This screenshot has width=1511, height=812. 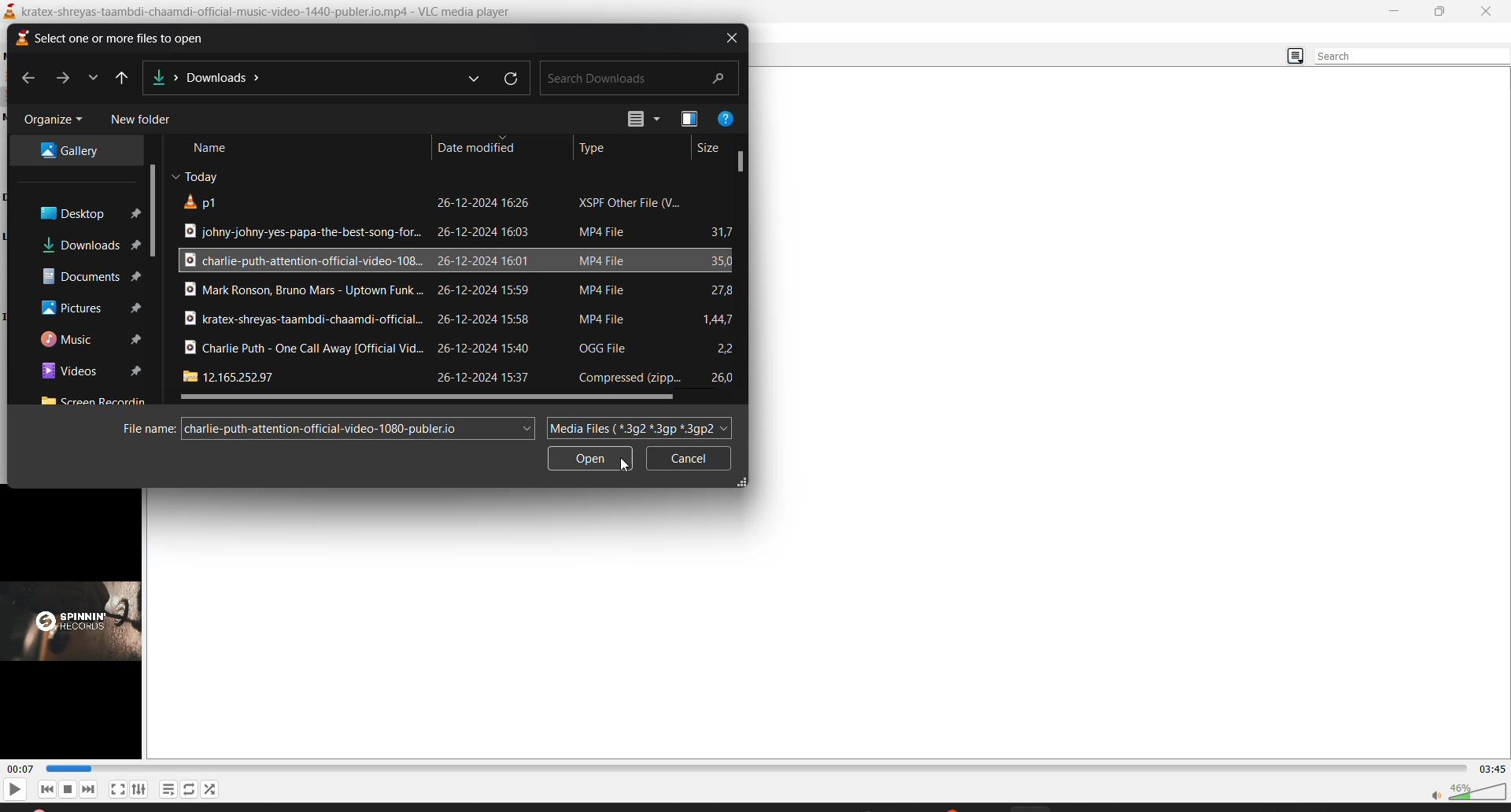 What do you see at coordinates (273, 205) in the screenshot?
I see `file title` at bounding box center [273, 205].